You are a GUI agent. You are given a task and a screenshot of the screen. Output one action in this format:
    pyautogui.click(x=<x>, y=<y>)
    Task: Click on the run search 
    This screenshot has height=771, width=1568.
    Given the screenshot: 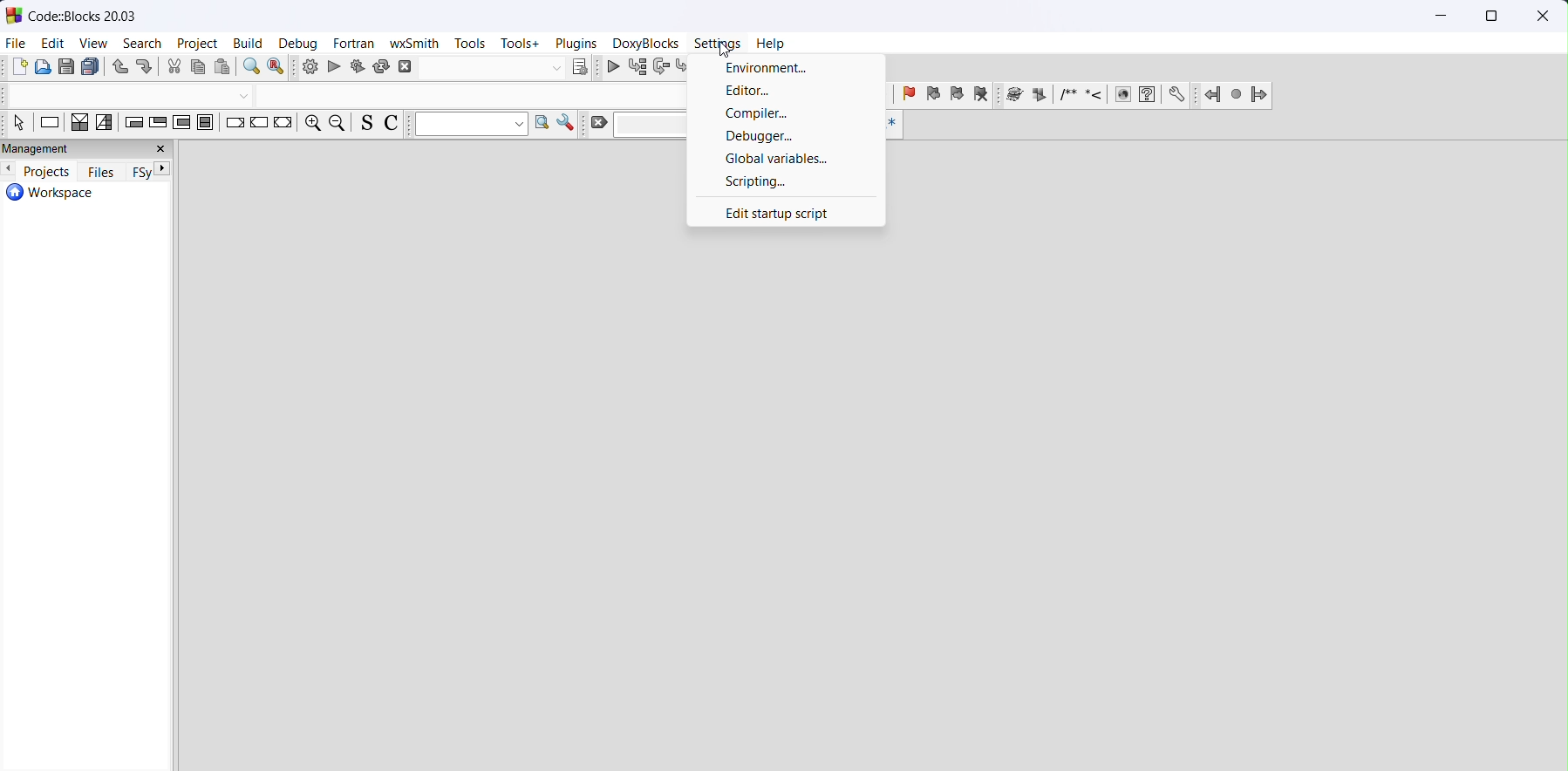 What is the action you would take?
    pyautogui.click(x=543, y=125)
    